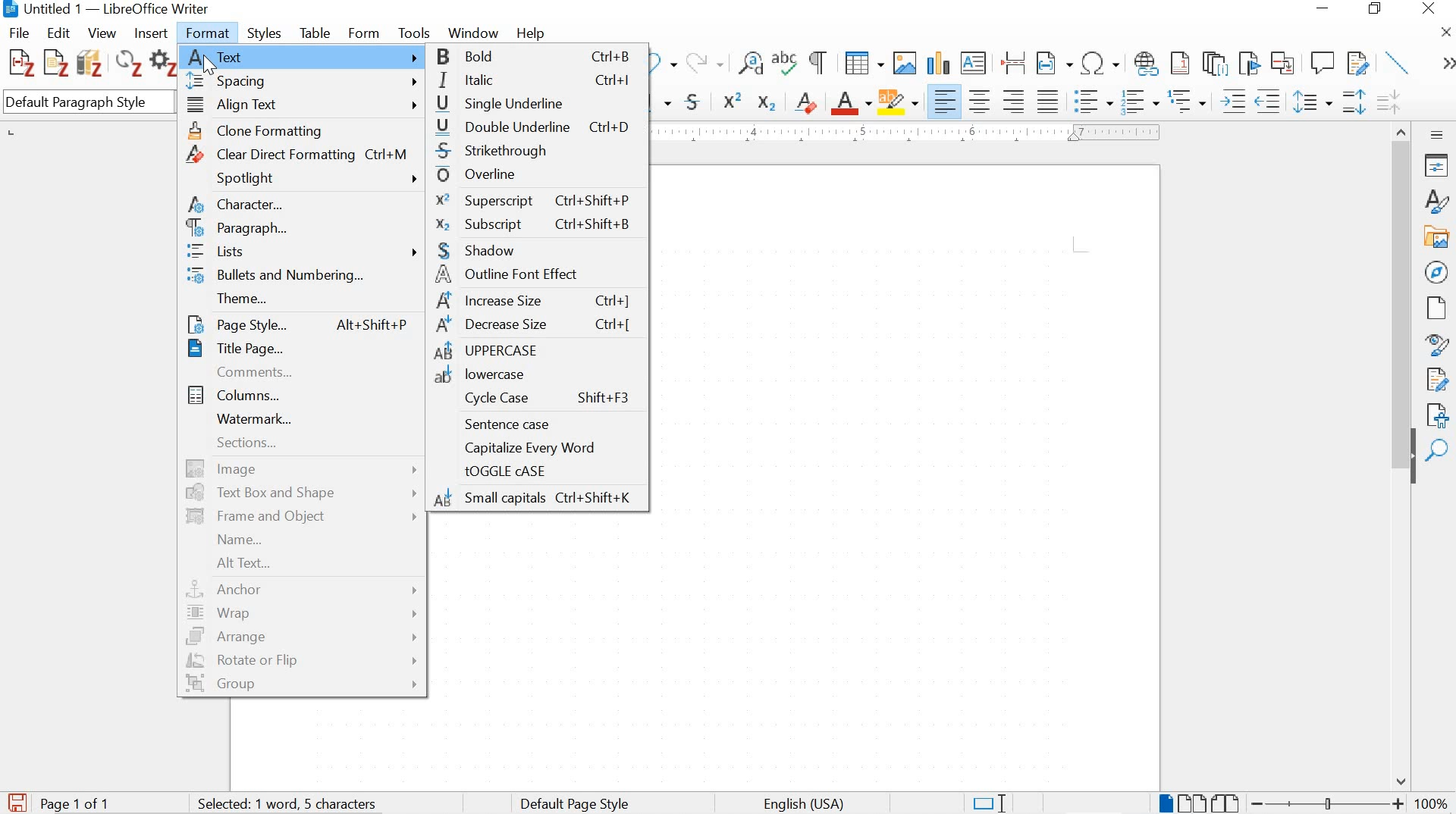 The width and height of the screenshot is (1456, 814). Describe the element at coordinates (1400, 282) in the screenshot. I see `scrollbar` at that location.